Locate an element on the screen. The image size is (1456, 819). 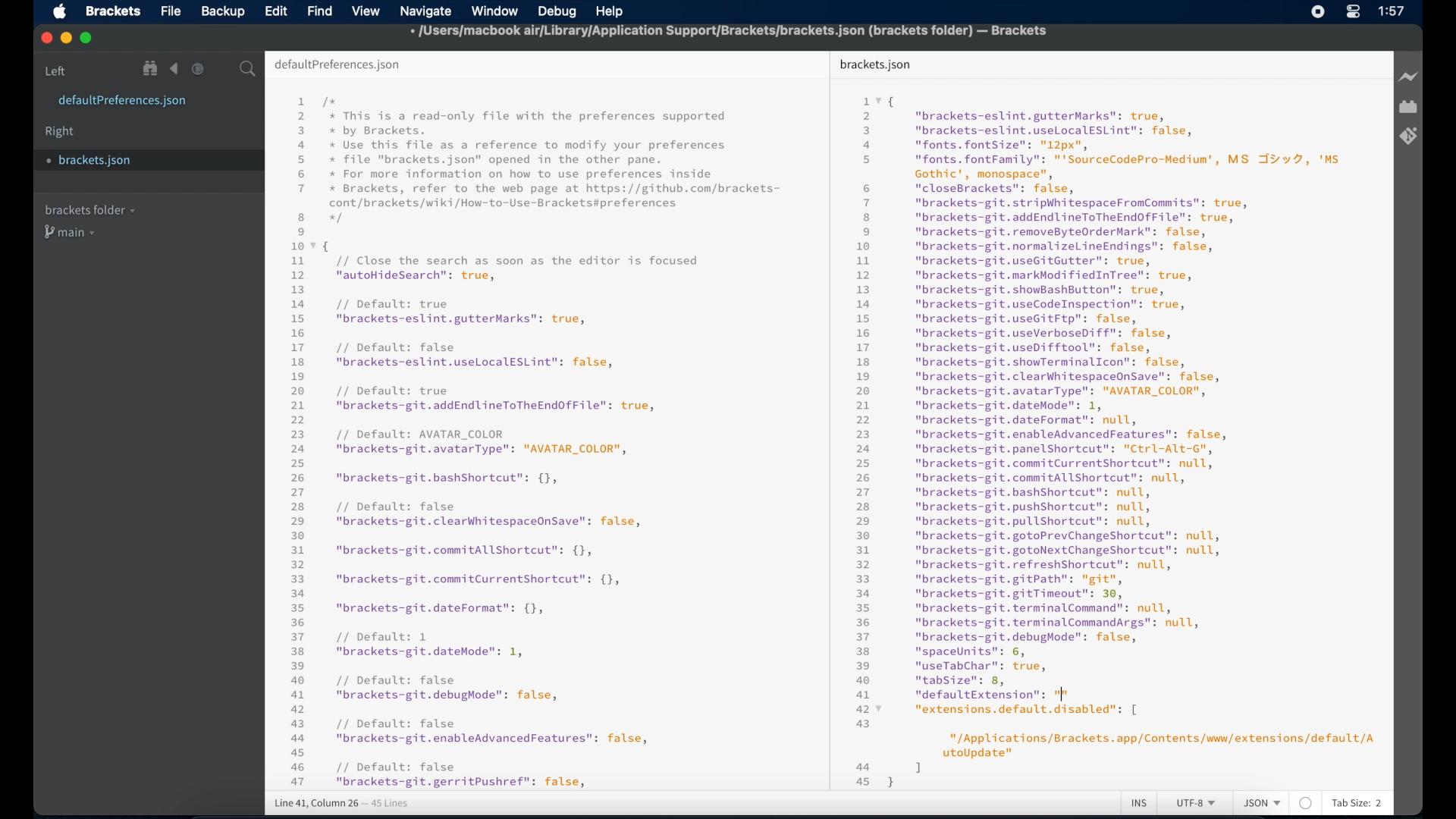
no linter  available for this file is located at coordinates (1305, 804).